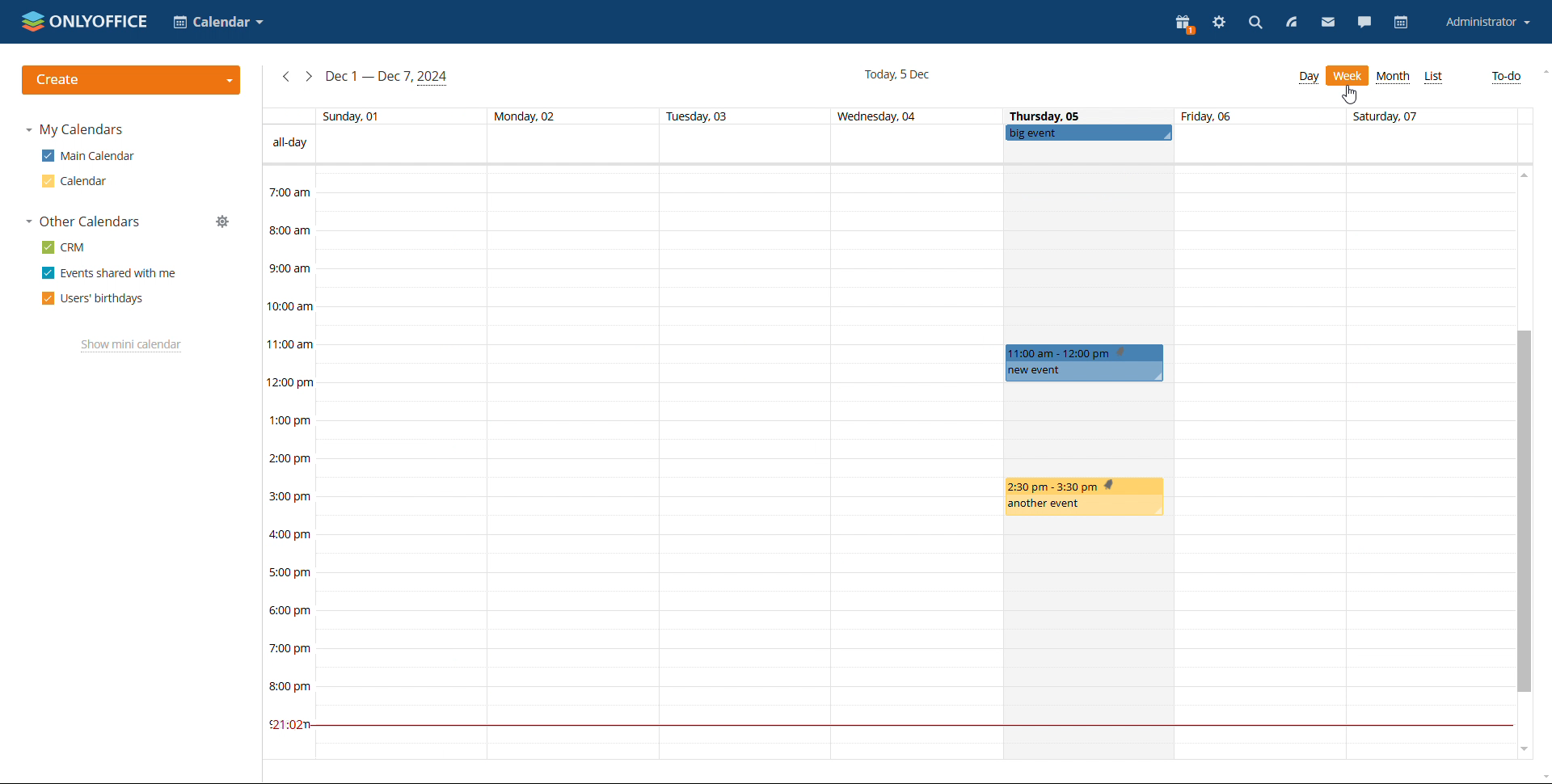  Describe the element at coordinates (891, 116) in the screenshot. I see `days` at that location.